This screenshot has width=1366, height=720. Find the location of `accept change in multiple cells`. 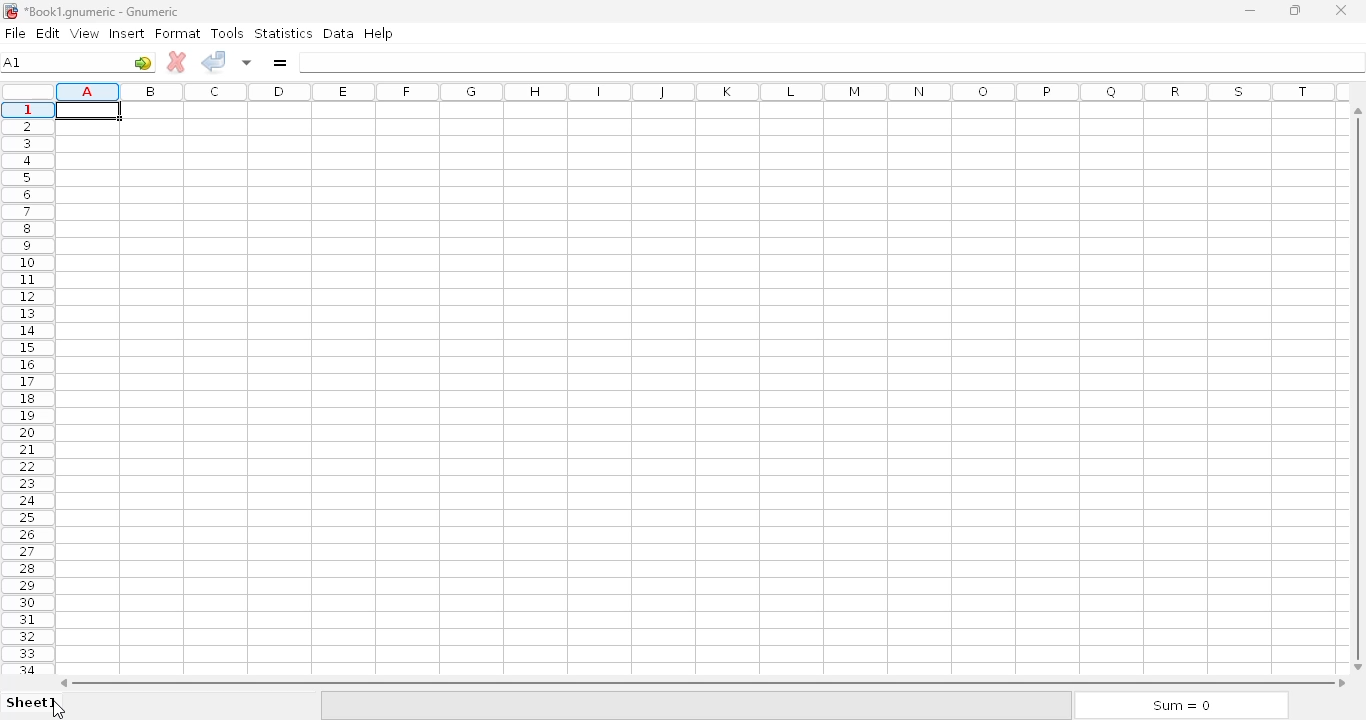

accept change in multiple cells is located at coordinates (248, 61).